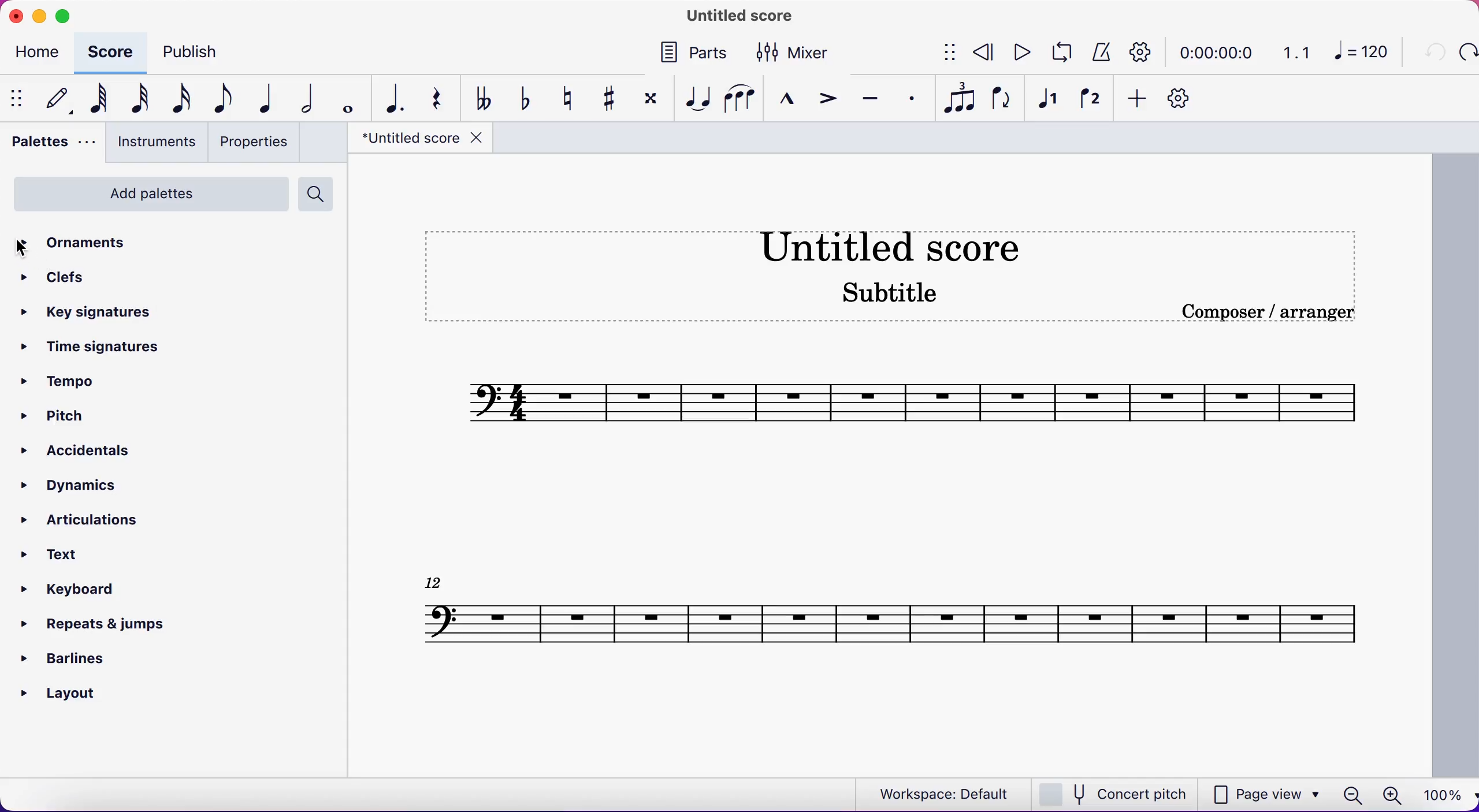  Describe the element at coordinates (649, 102) in the screenshot. I see `toggle double sharp` at that location.